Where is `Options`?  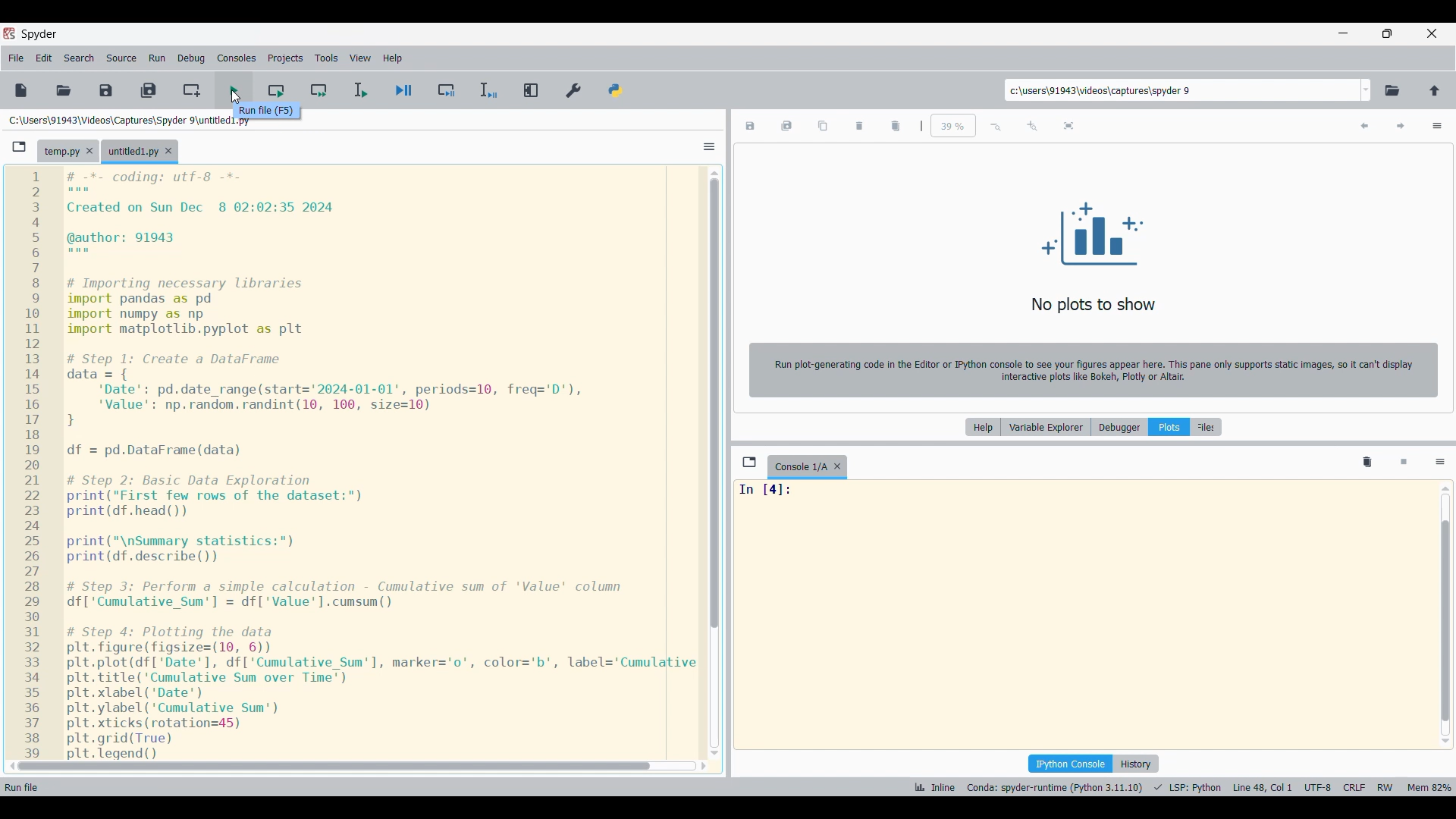 Options is located at coordinates (1438, 126).